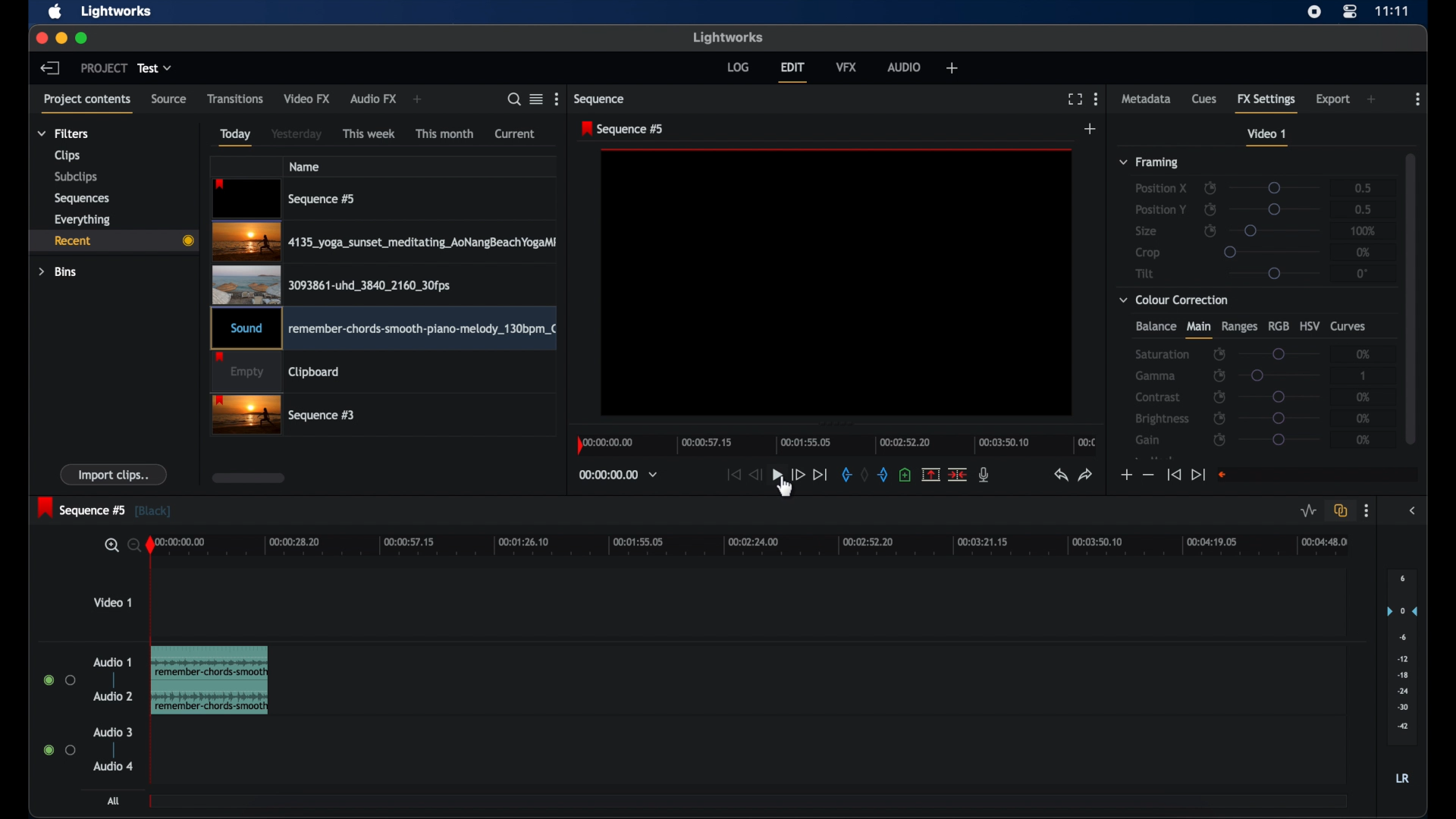 The width and height of the screenshot is (1456, 819). I want to click on everything, so click(83, 220).